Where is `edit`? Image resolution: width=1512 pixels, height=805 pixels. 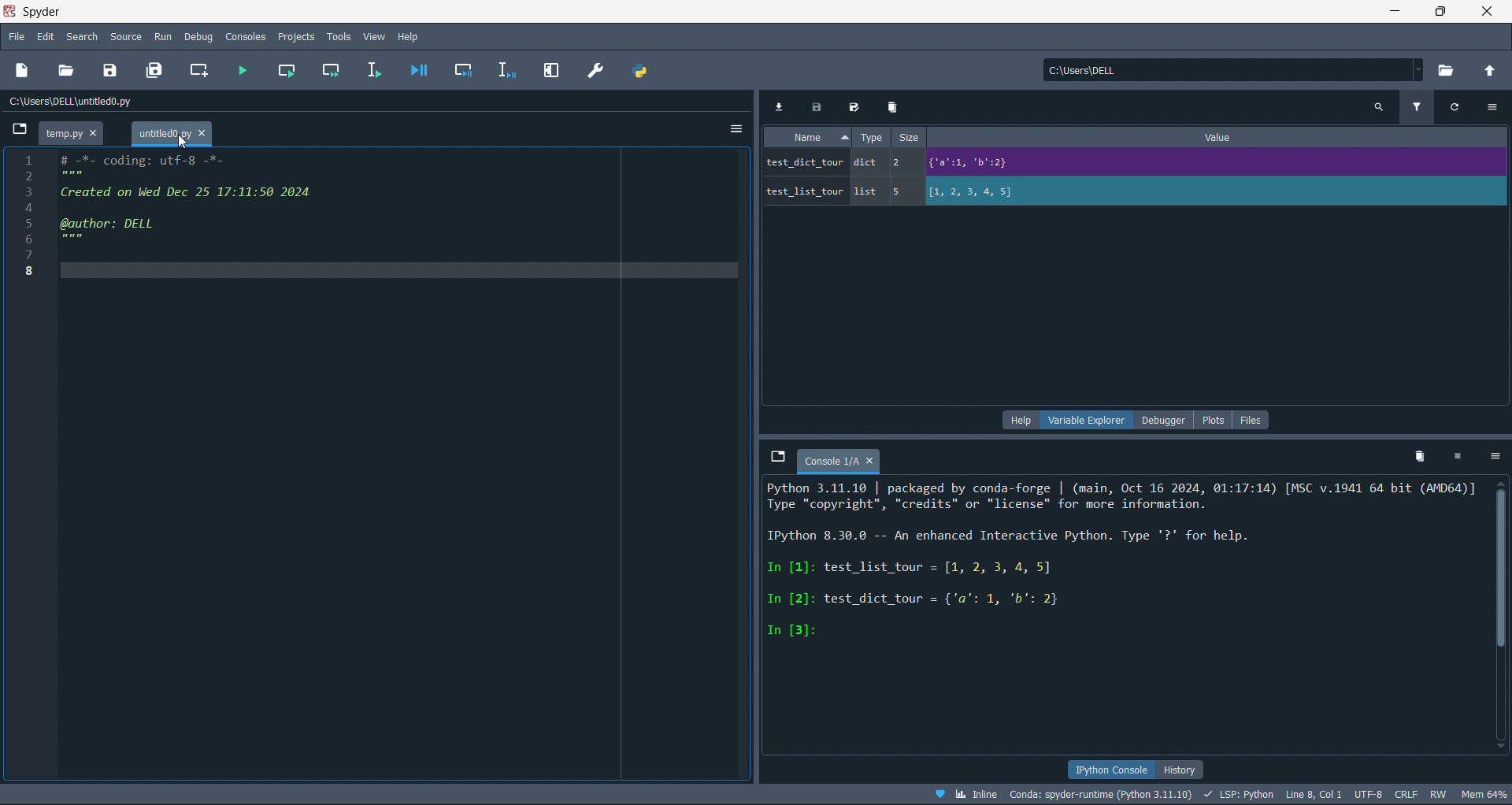 edit is located at coordinates (46, 38).